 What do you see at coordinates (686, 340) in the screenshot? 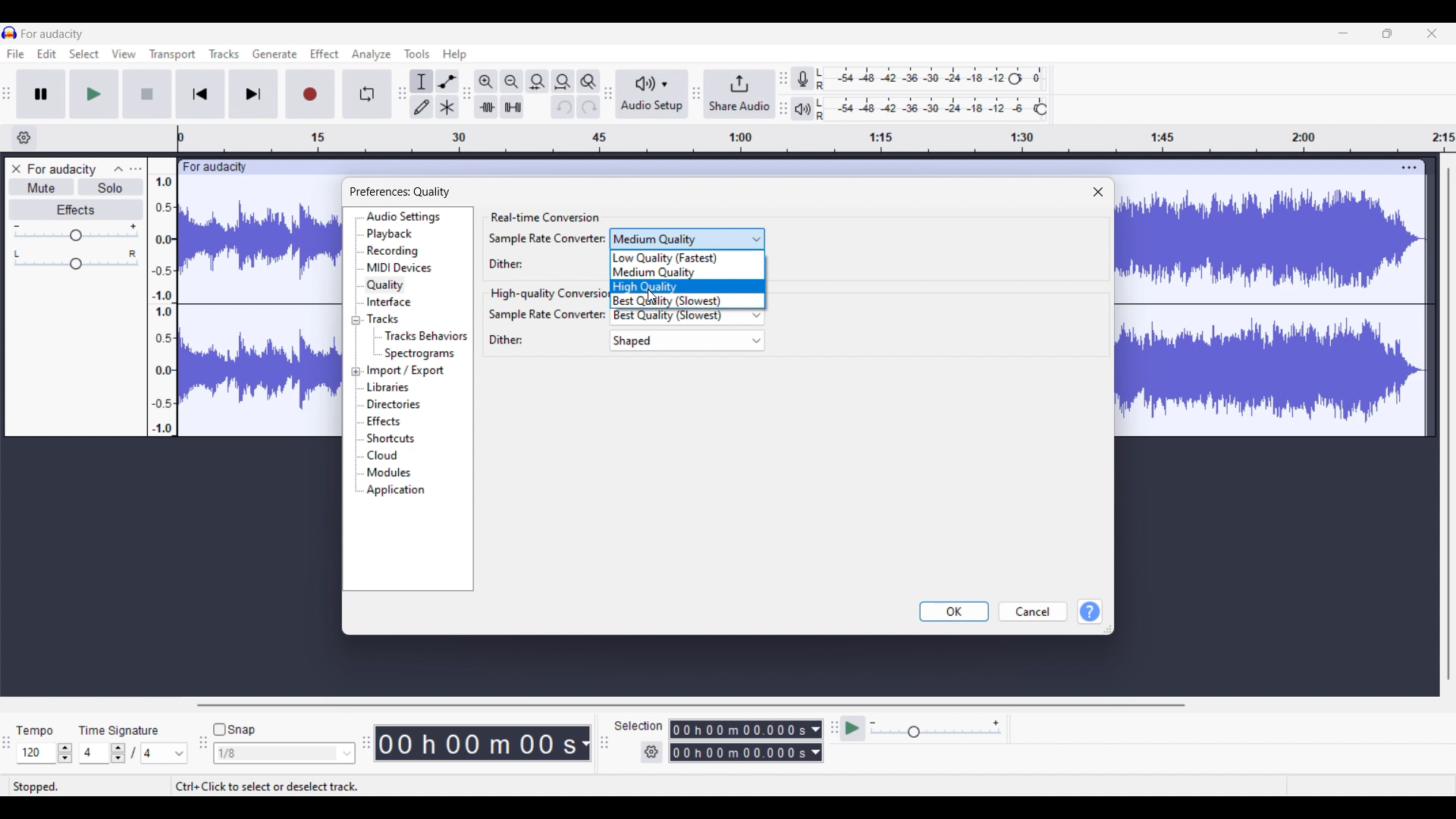
I see `shaped` at bounding box center [686, 340].